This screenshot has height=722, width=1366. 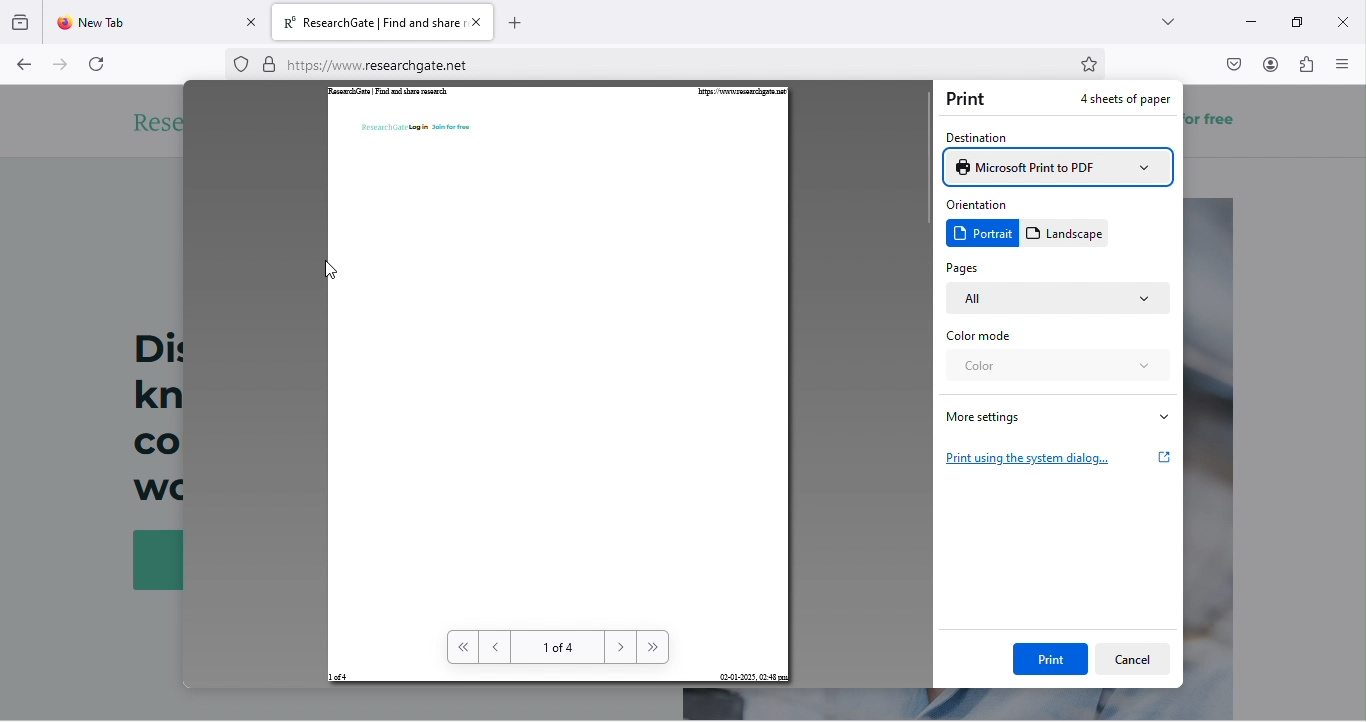 What do you see at coordinates (1343, 17) in the screenshot?
I see `close` at bounding box center [1343, 17].